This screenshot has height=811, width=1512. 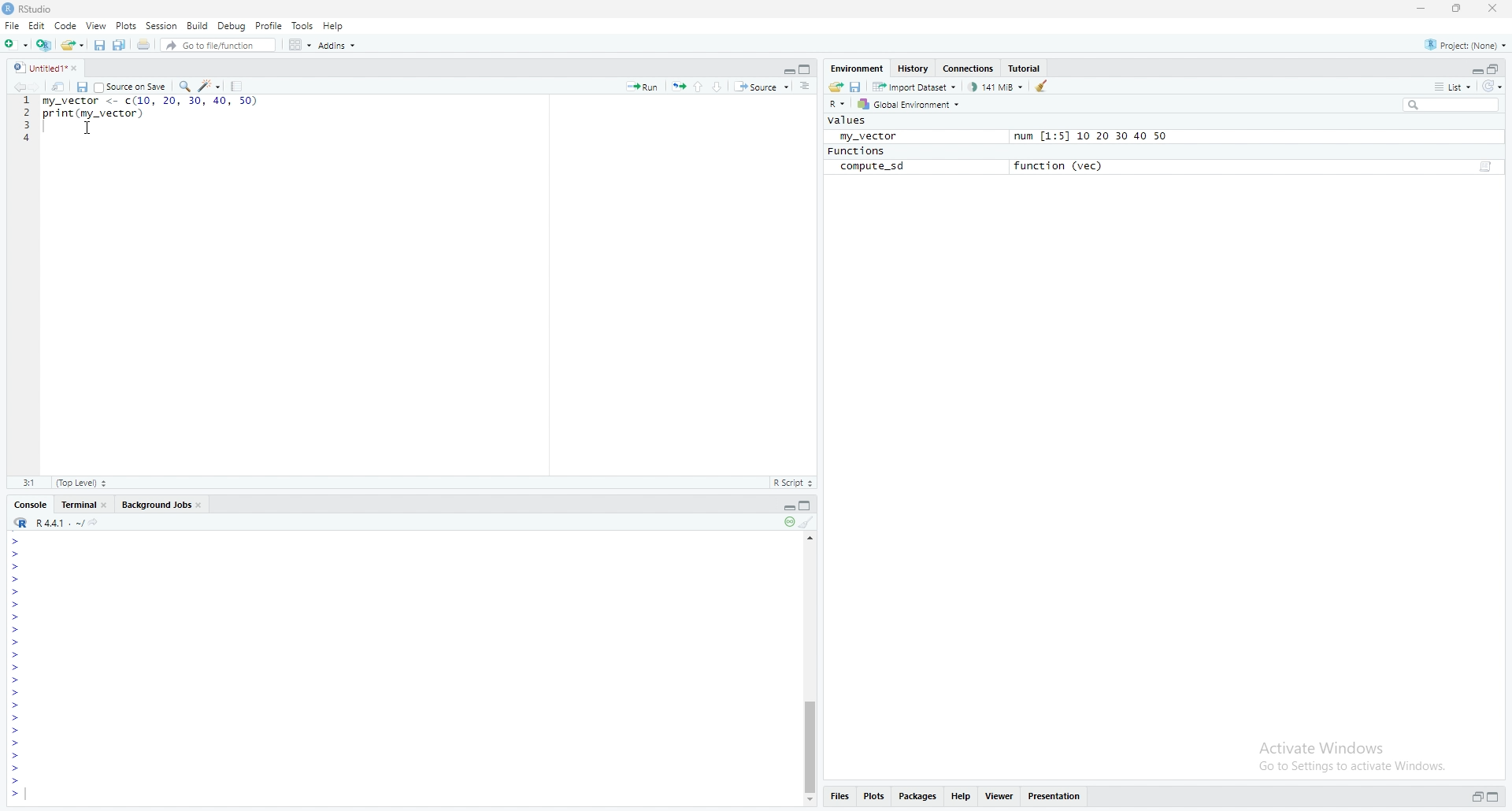 I want to click on Maximize/Restore, so click(x=806, y=68).